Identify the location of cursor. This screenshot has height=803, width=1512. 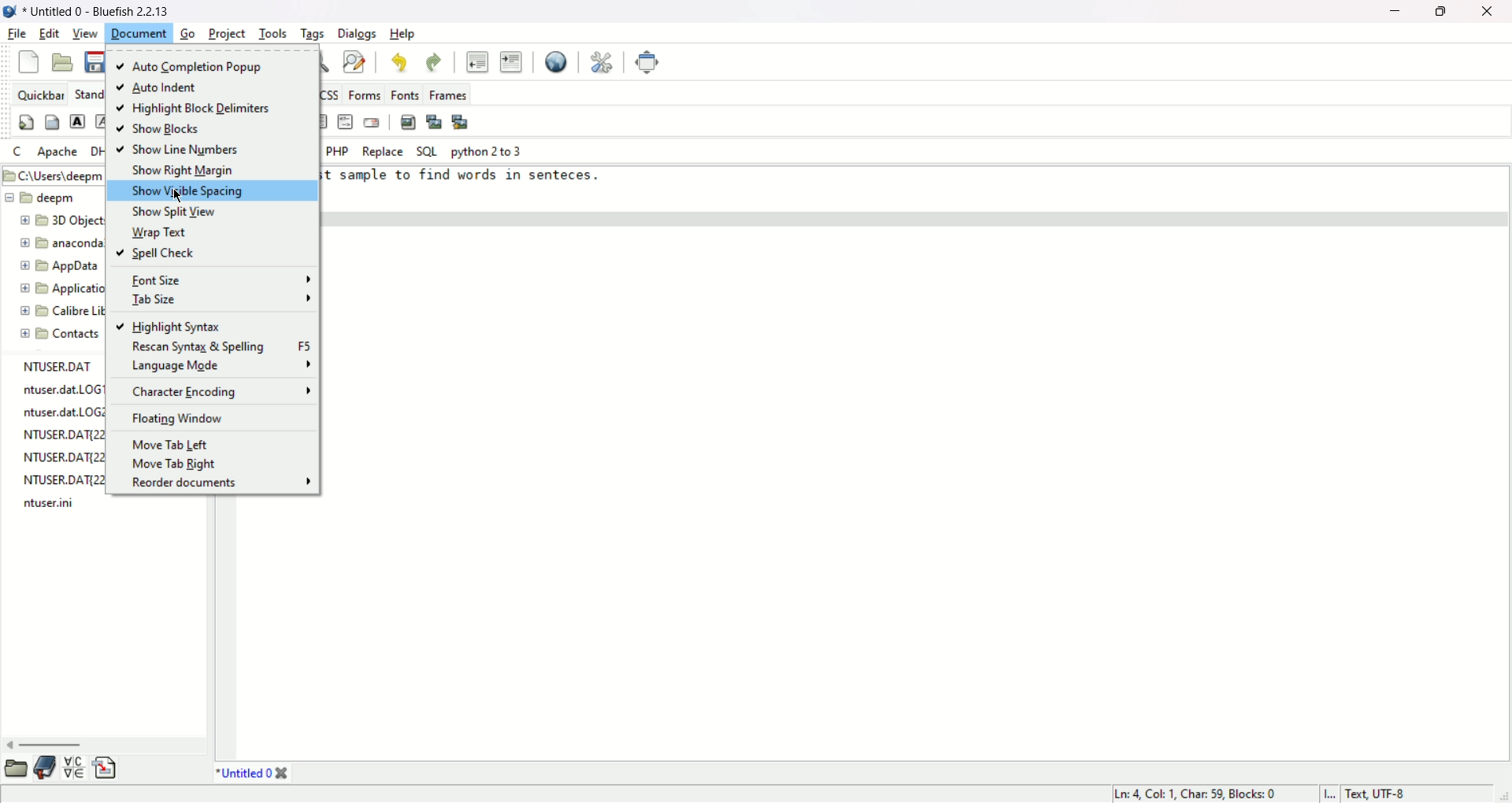
(178, 195).